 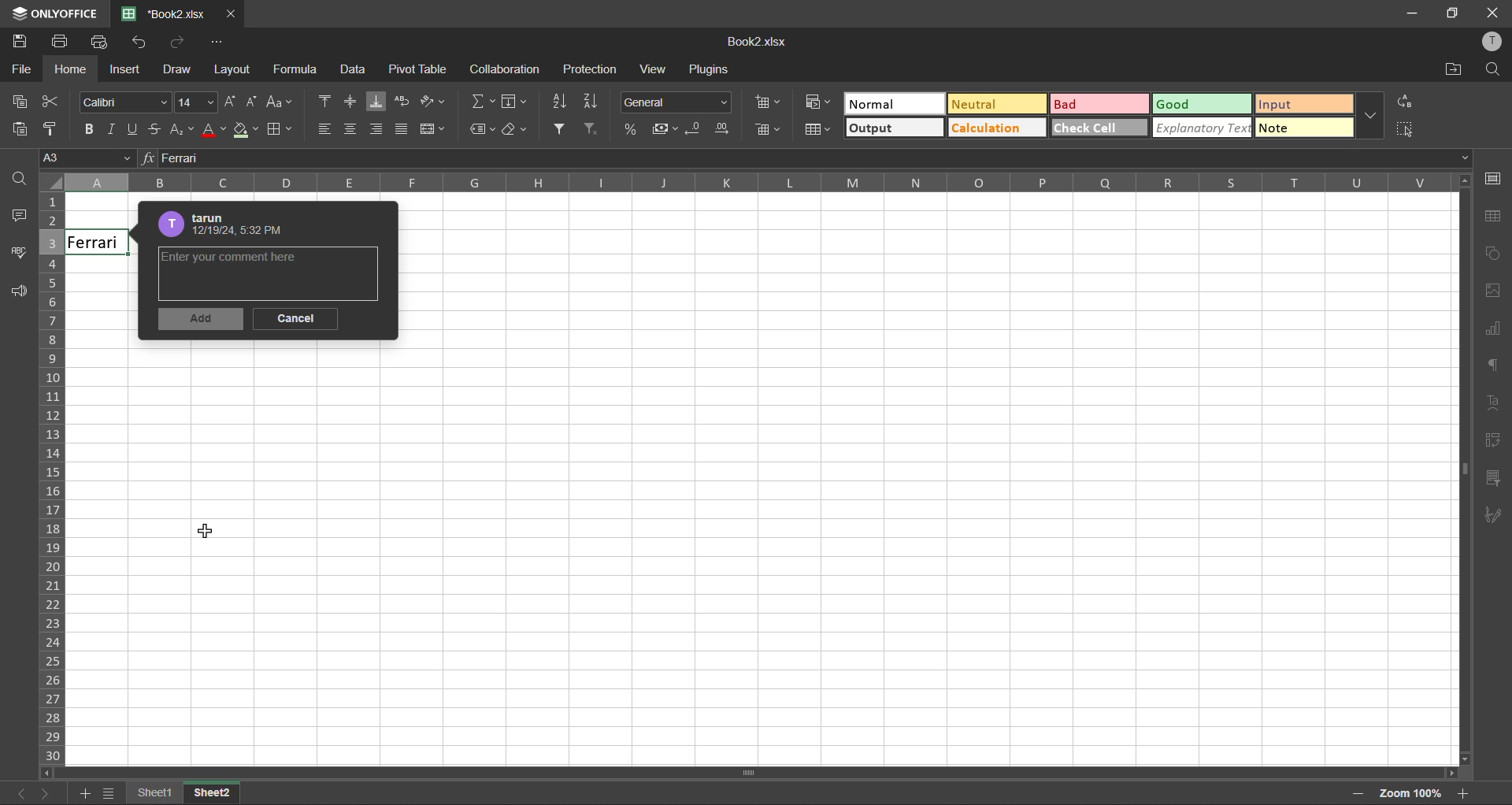 What do you see at coordinates (769, 131) in the screenshot?
I see `delete cells` at bounding box center [769, 131].